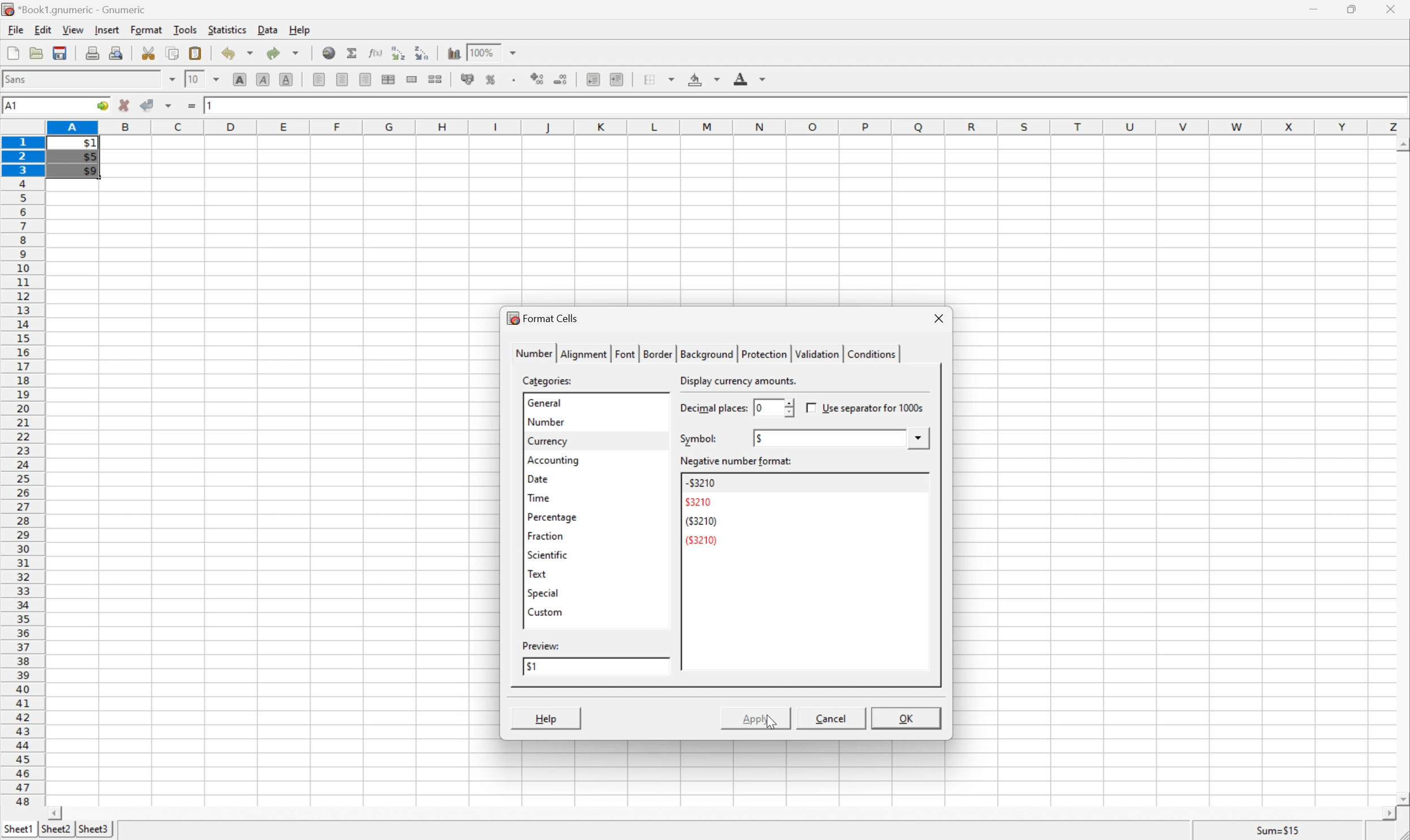  Describe the element at coordinates (559, 79) in the screenshot. I see `decrease number of decimals displayed` at that location.